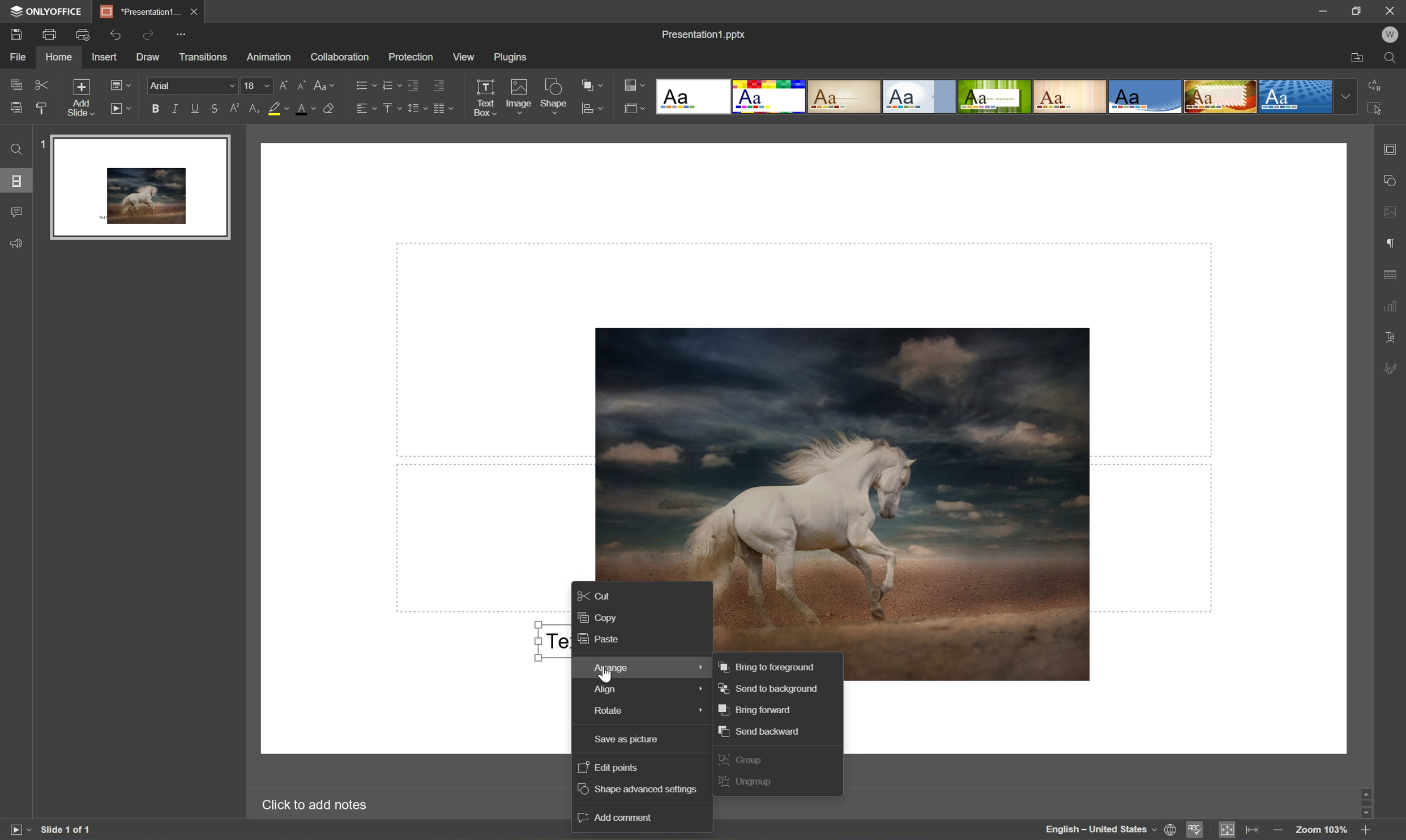 This screenshot has width=1406, height=840. What do you see at coordinates (1322, 829) in the screenshot?
I see `Zoom 103%` at bounding box center [1322, 829].